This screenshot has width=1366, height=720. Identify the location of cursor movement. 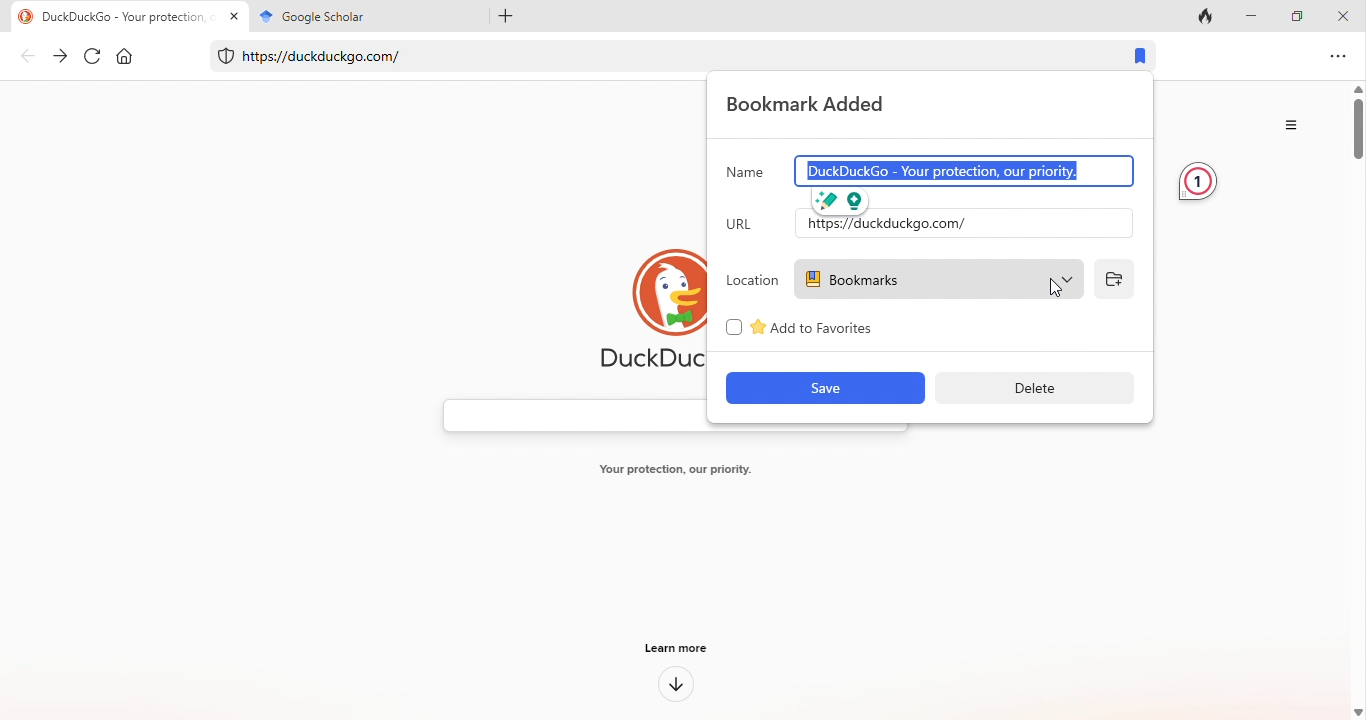
(1059, 286).